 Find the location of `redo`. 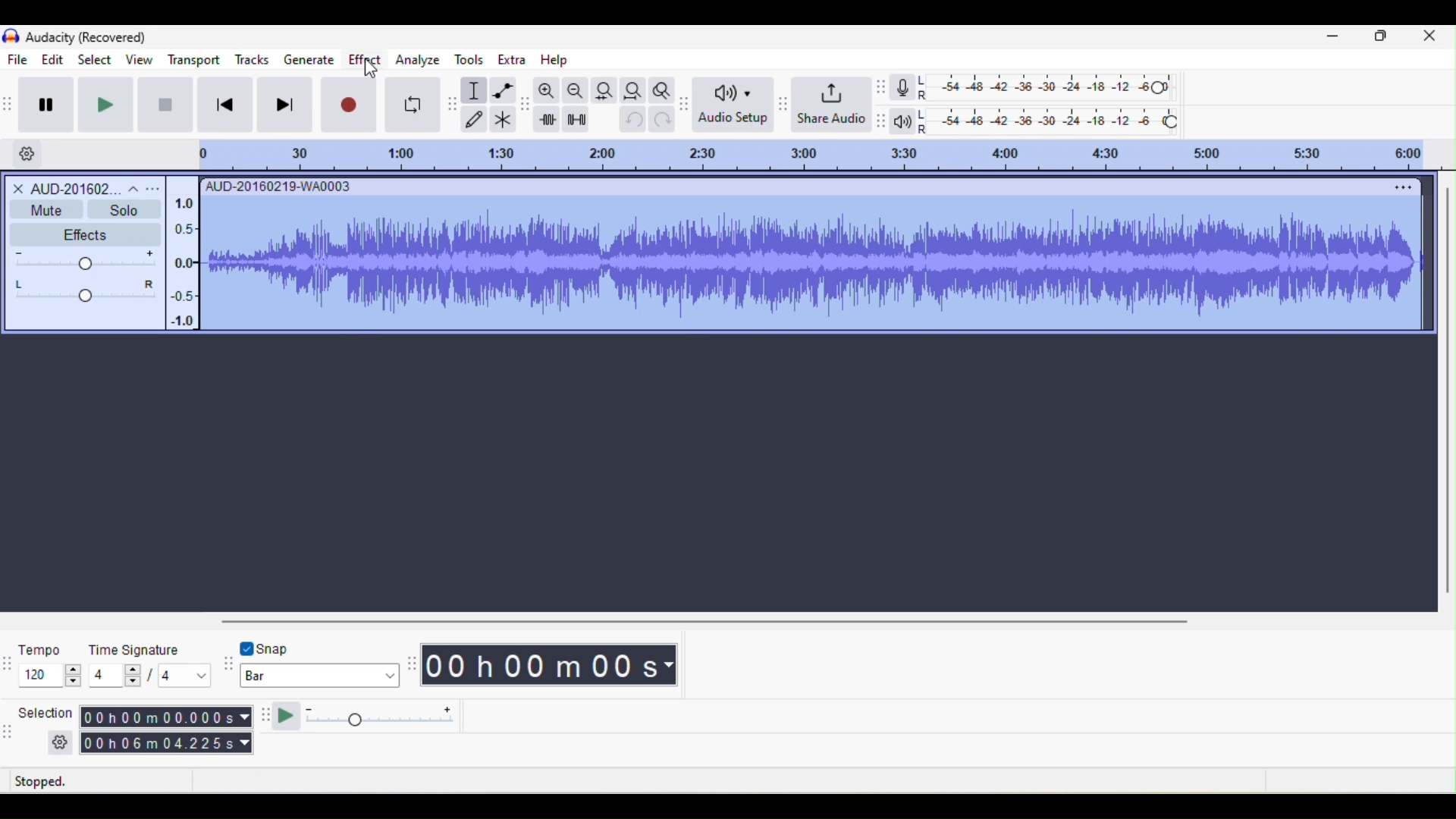

redo is located at coordinates (663, 123).